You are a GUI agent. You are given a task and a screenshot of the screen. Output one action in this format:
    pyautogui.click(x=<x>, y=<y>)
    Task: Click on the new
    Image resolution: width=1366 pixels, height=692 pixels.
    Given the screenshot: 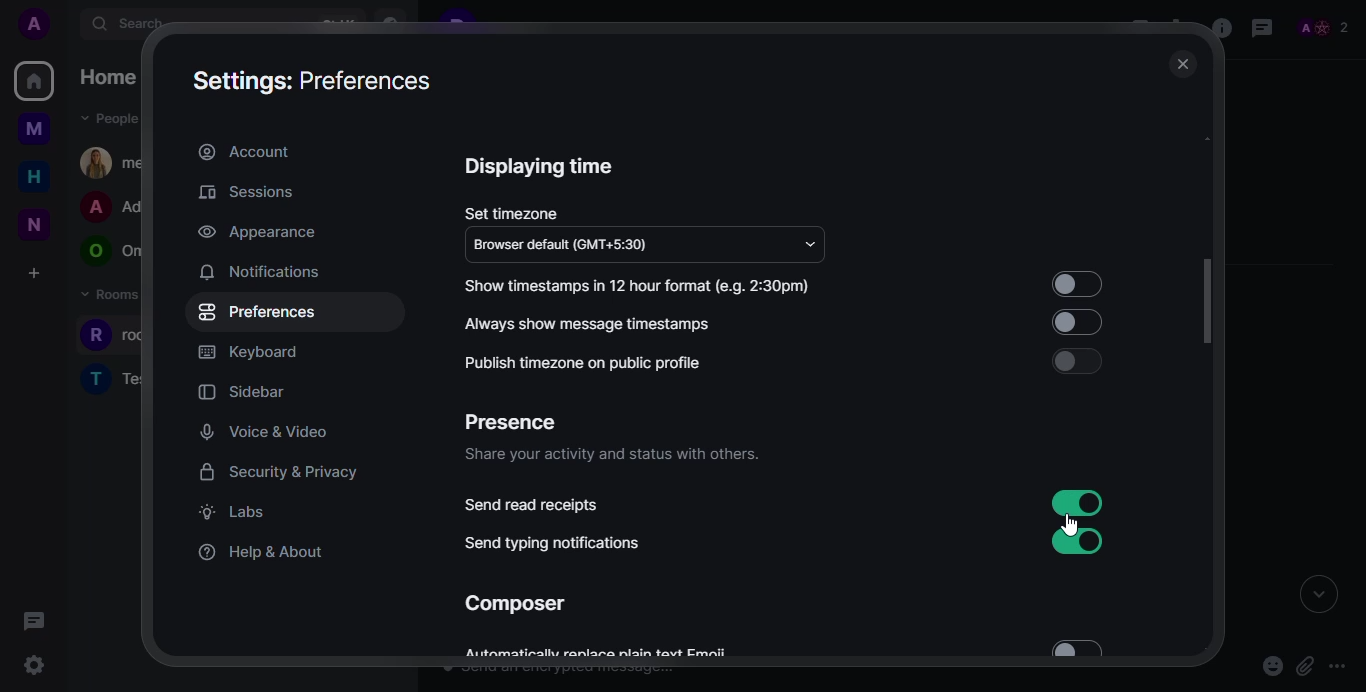 What is the action you would take?
    pyautogui.click(x=30, y=222)
    